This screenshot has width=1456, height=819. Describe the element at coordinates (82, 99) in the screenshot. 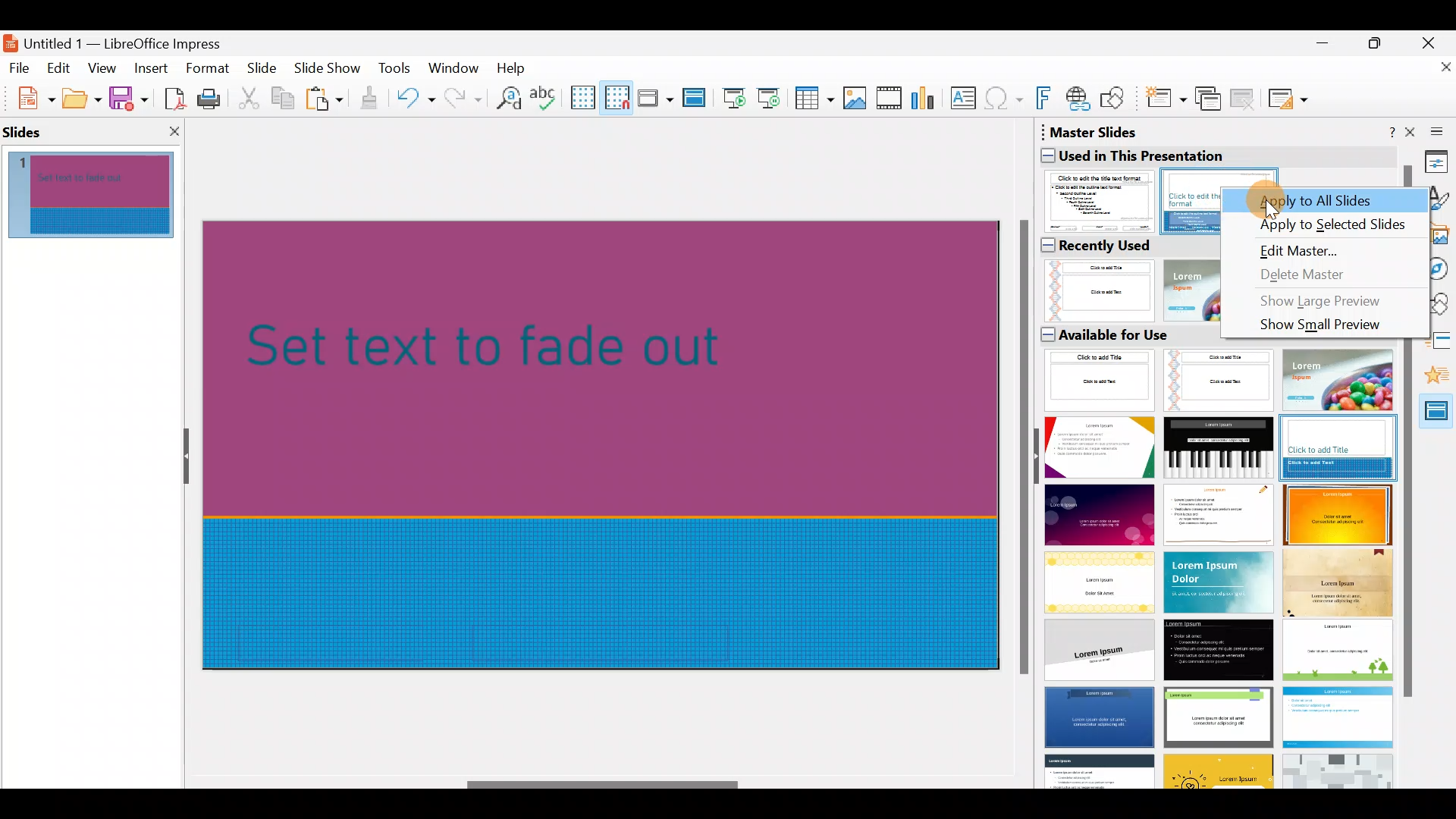

I see `Open` at that location.